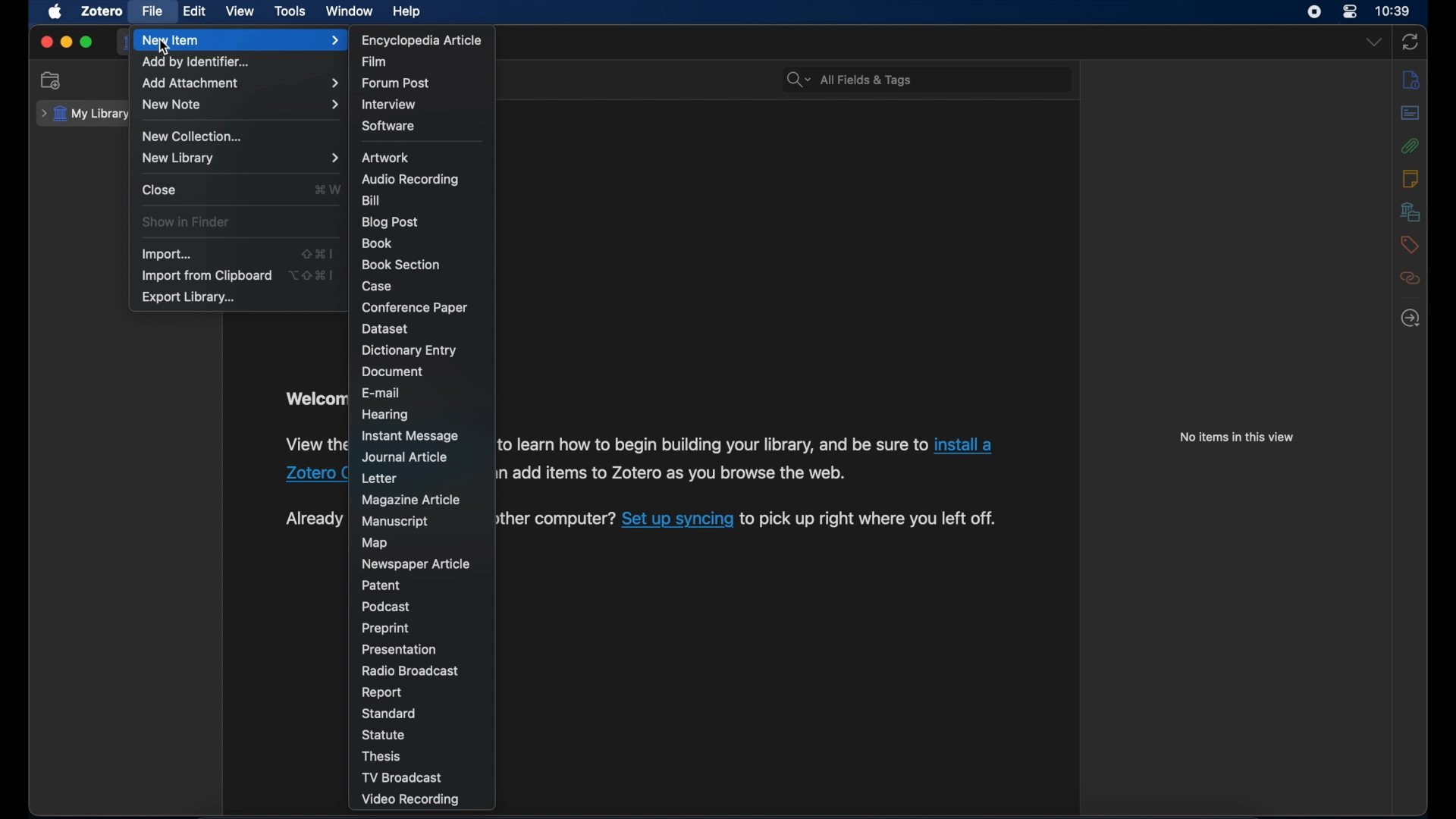 This screenshot has width=1456, height=819. Describe the element at coordinates (393, 714) in the screenshot. I see `standard` at that location.